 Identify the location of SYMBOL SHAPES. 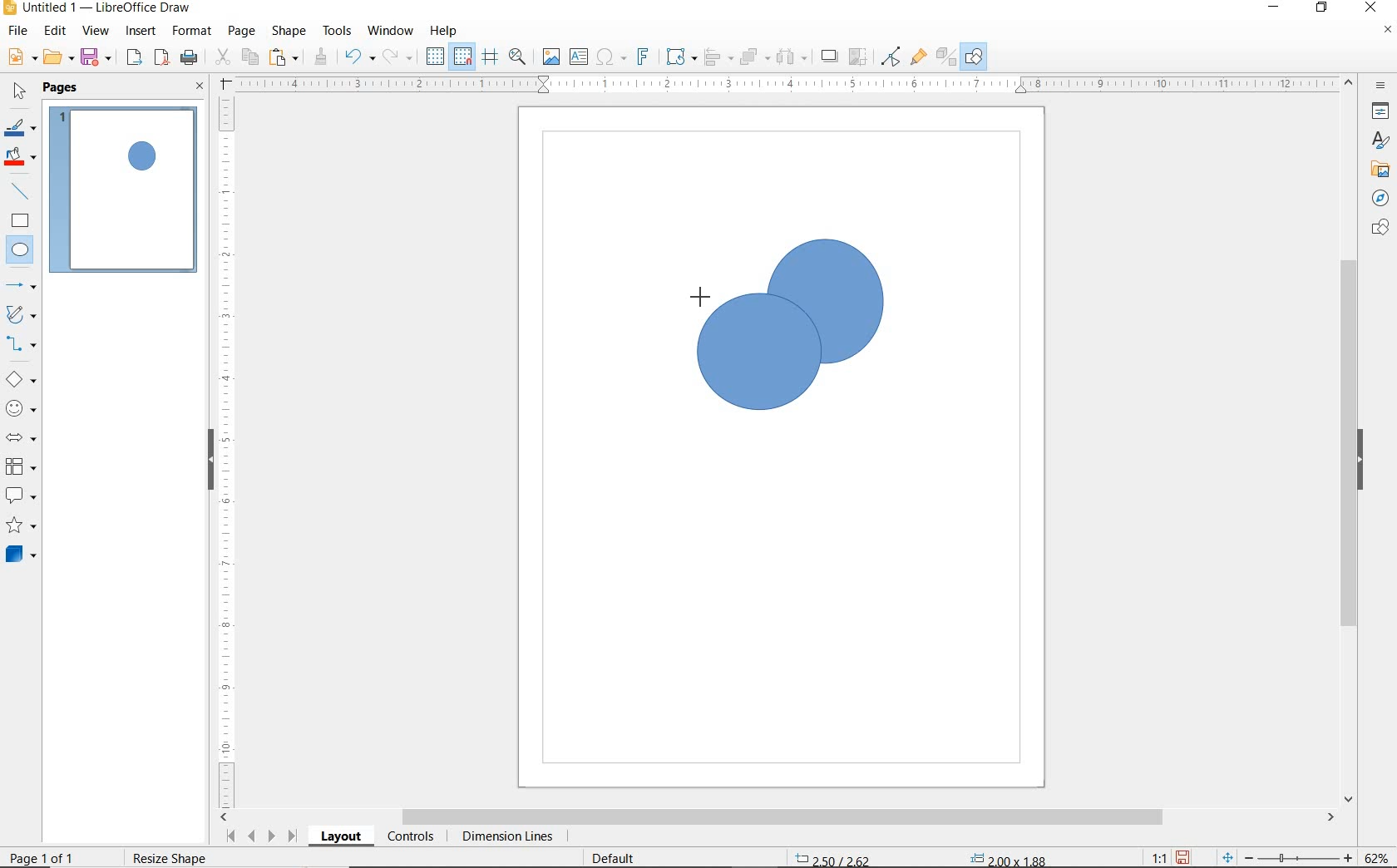
(22, 408).